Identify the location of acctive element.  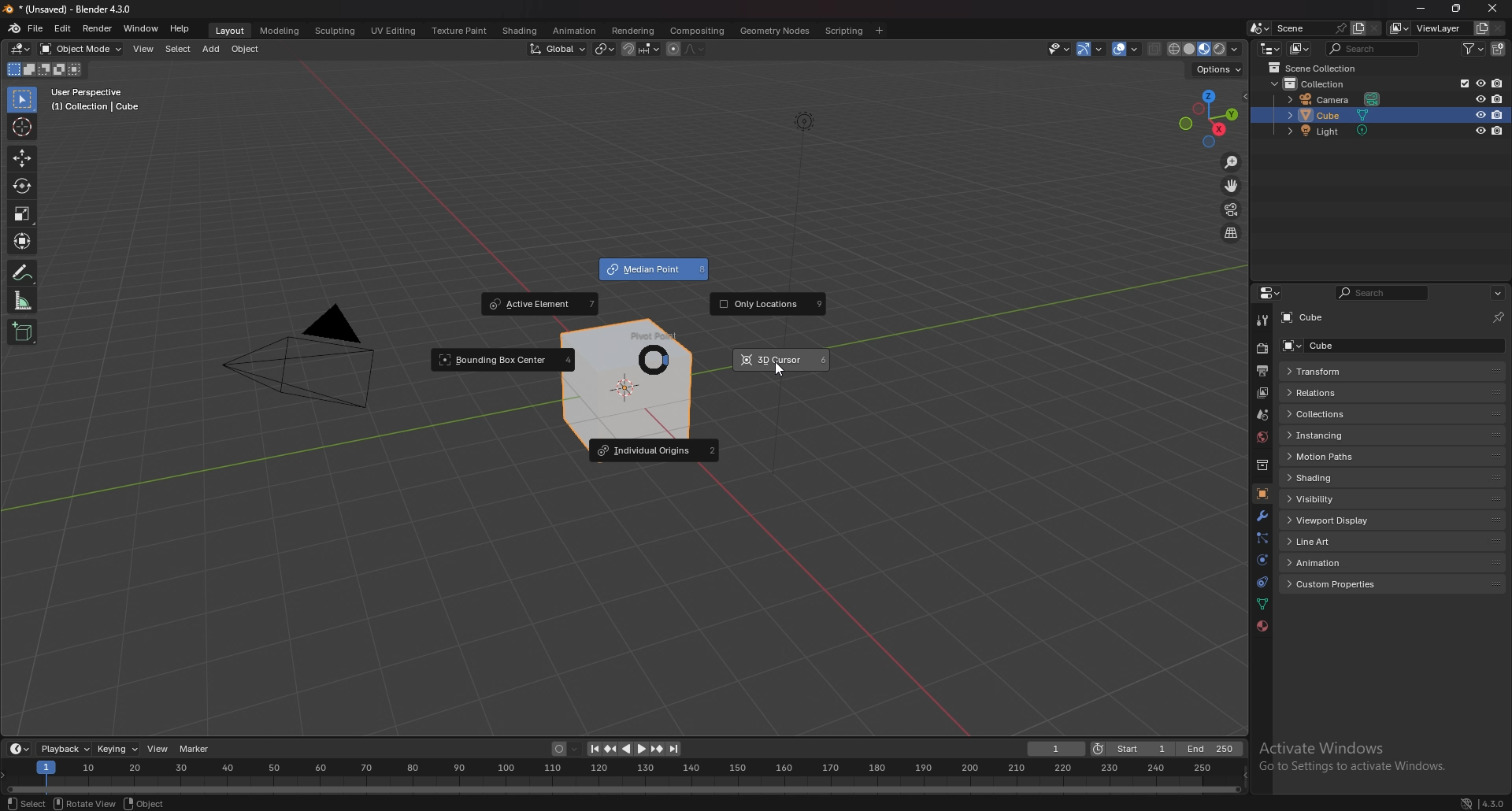
(540, 304).